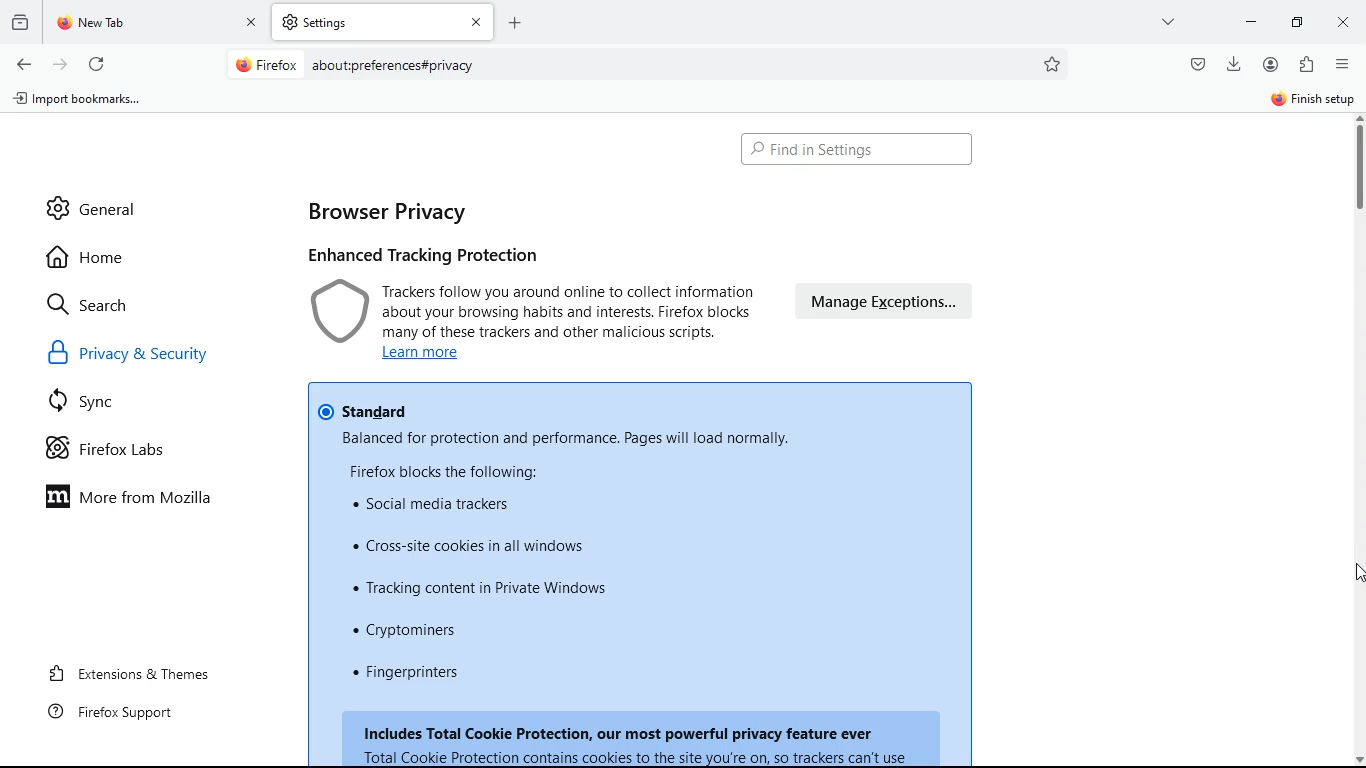 The height and width of the screenshot is (768, 1366). Describe the element at coordinates (1346, 24) in the screenshot. I see `close` at that location.